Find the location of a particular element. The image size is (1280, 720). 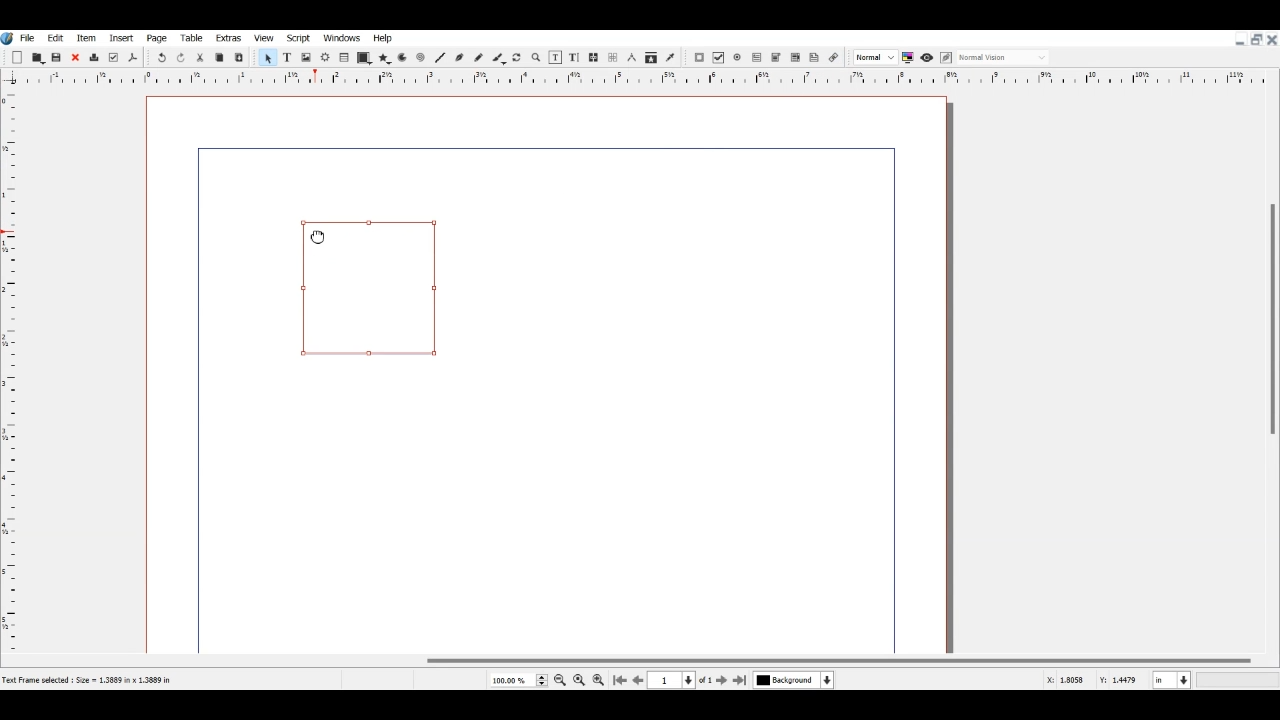

Link Annotation is located at coordinates (369, 285).